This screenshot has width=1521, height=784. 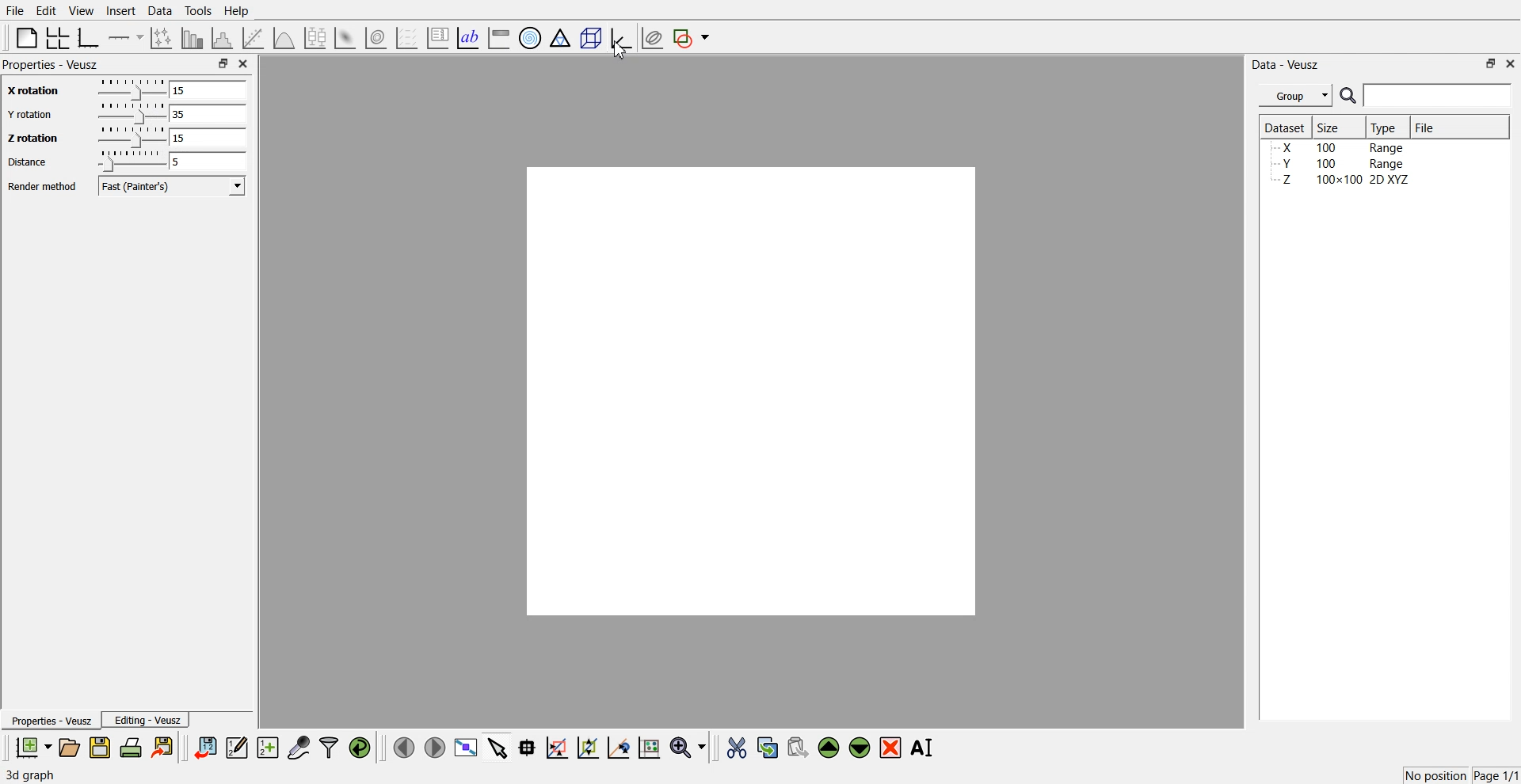 What do you see at coordinates (375, 38) in the screenshot?
I see `3D Volume` at bounding box center [375, 38].